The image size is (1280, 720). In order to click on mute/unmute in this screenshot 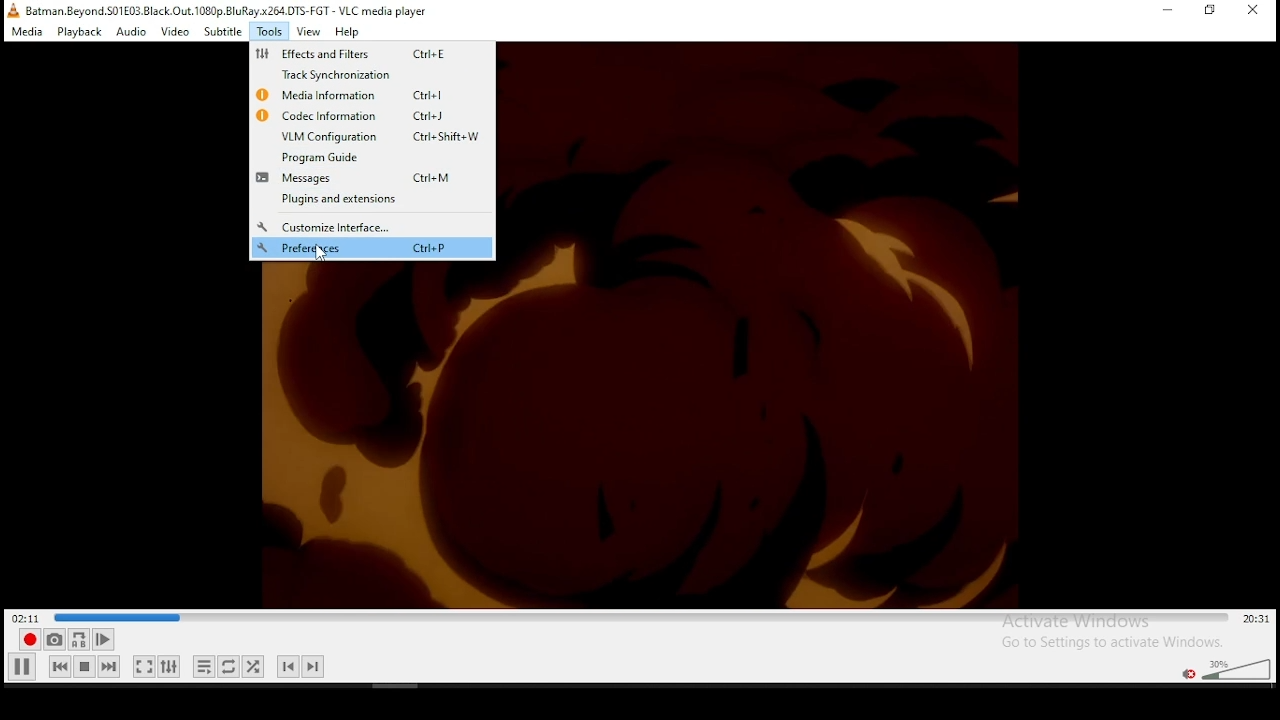, I will do `click(1190, 674)`.